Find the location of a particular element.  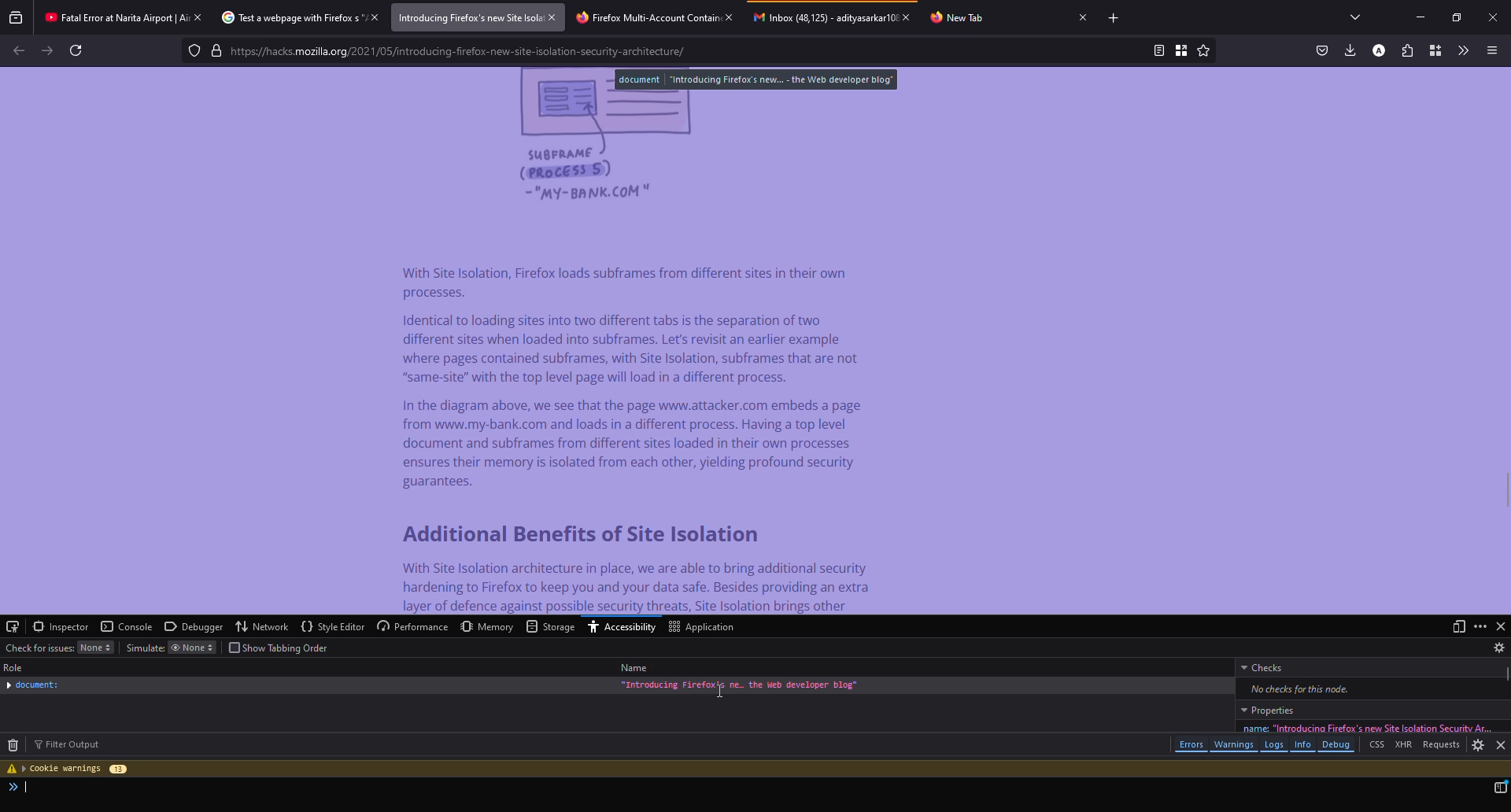

console is located at coordinates (125, 626).